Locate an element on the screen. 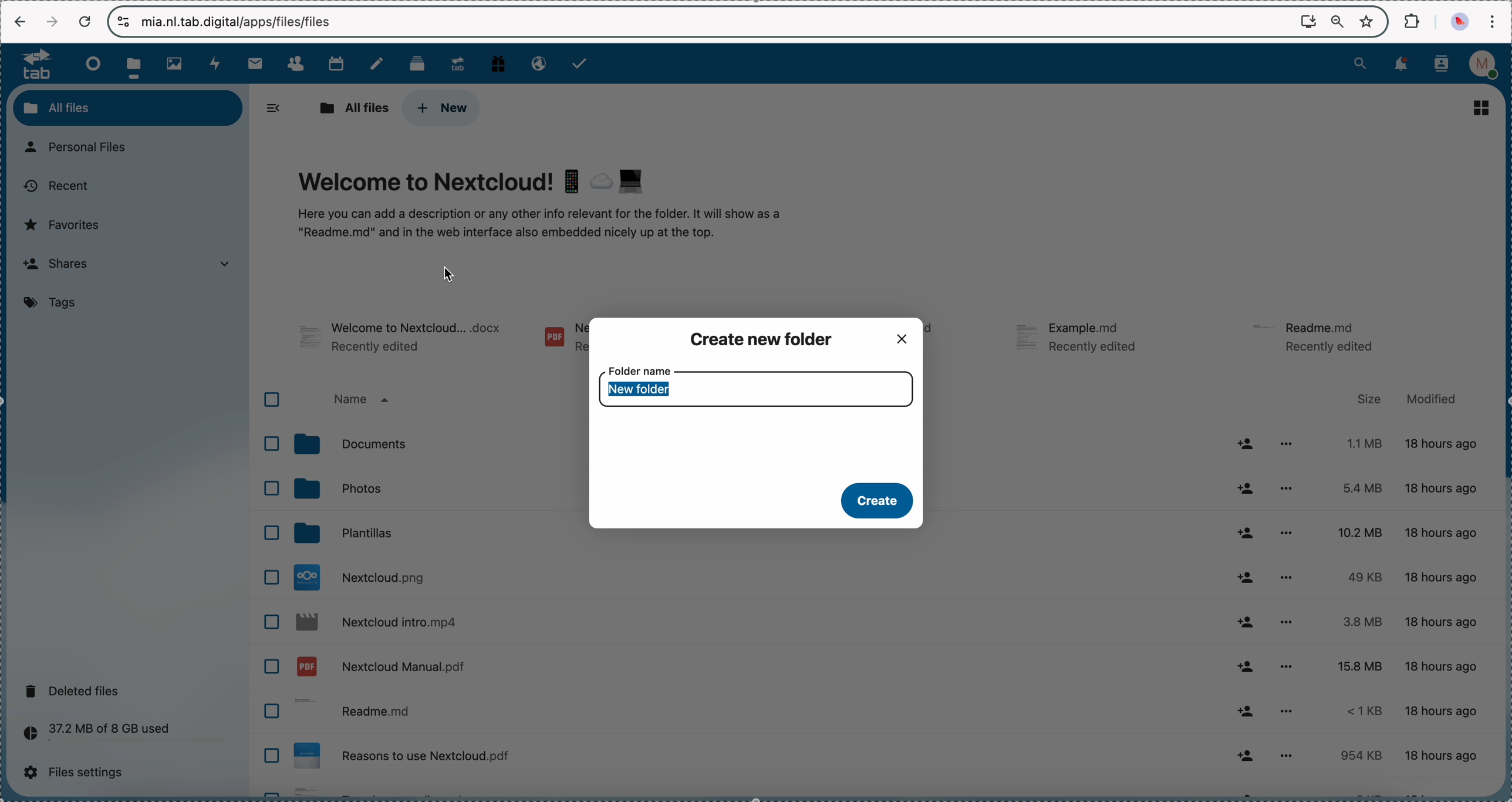 This screenshot has width=1512, height=802. welcome to Nextcloud is located at coordinates (542, 205).